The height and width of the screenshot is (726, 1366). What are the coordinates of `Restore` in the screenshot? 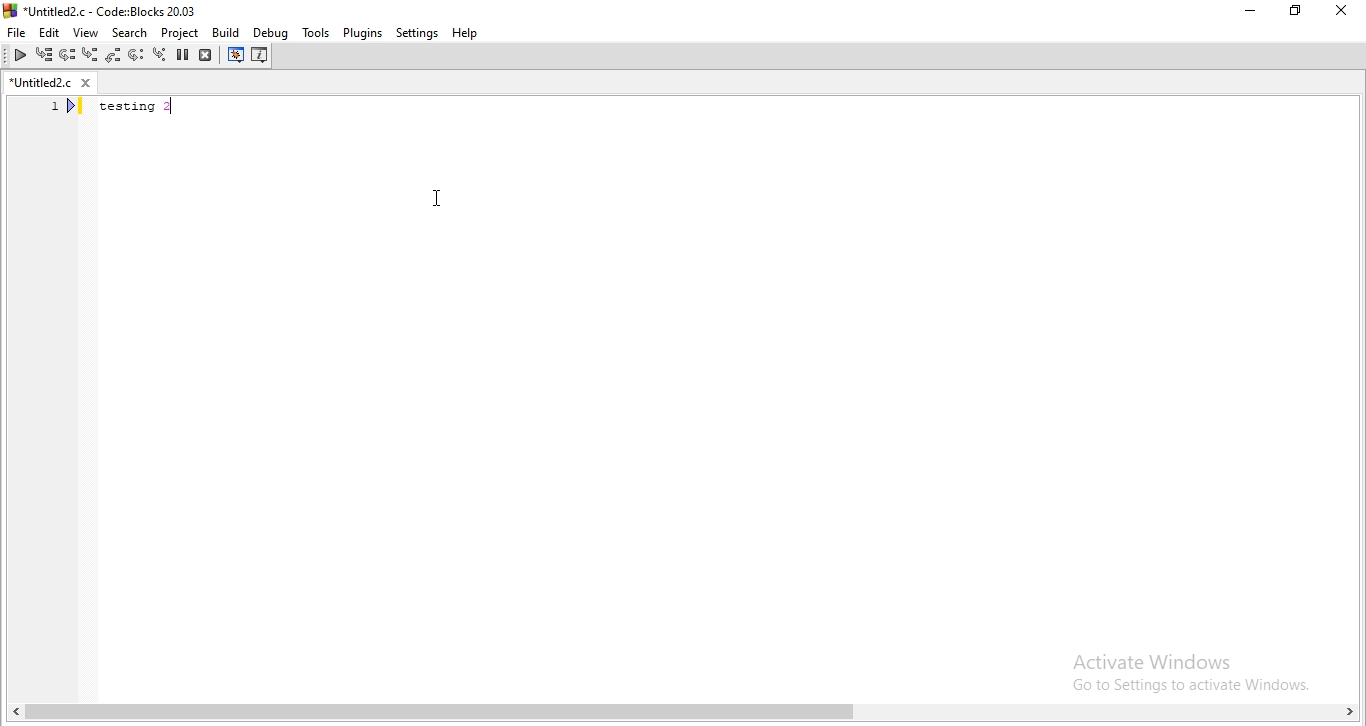 It's located at (1297, 11).